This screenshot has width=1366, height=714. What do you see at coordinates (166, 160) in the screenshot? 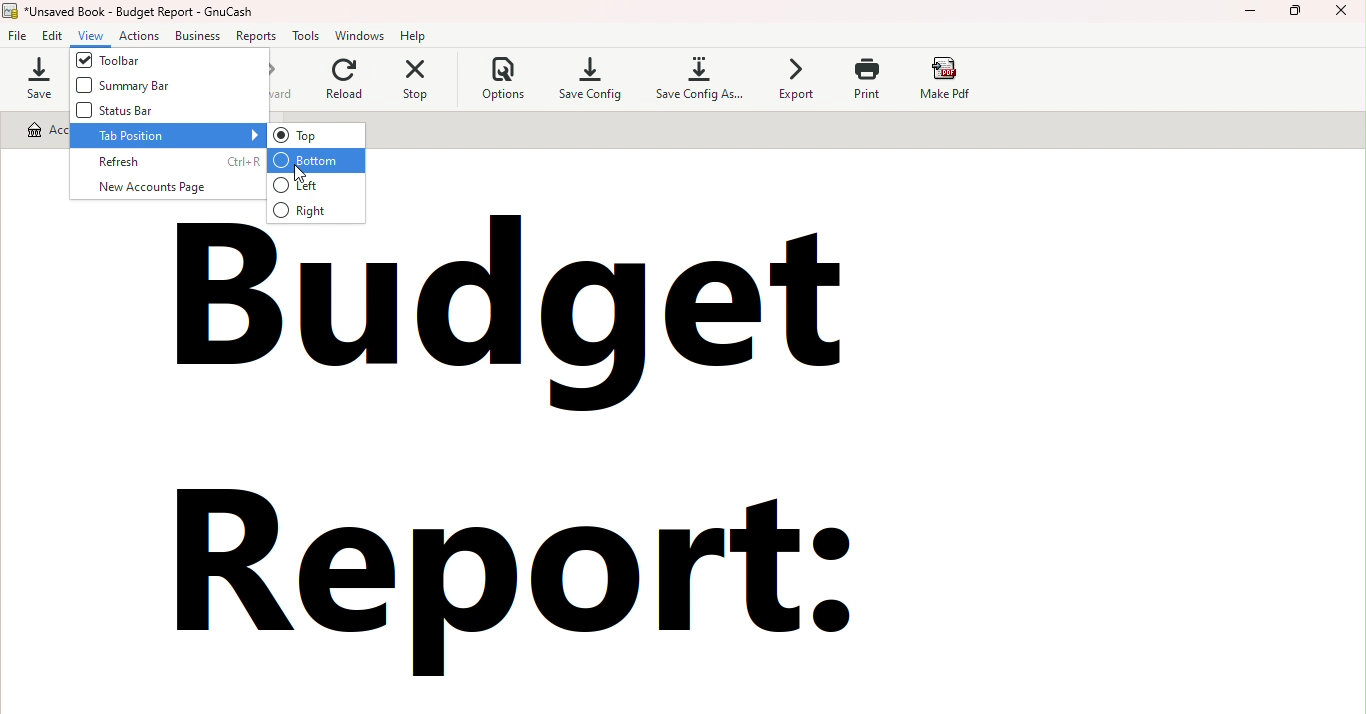
I see `Refresh` at bounding box center [166, 160].